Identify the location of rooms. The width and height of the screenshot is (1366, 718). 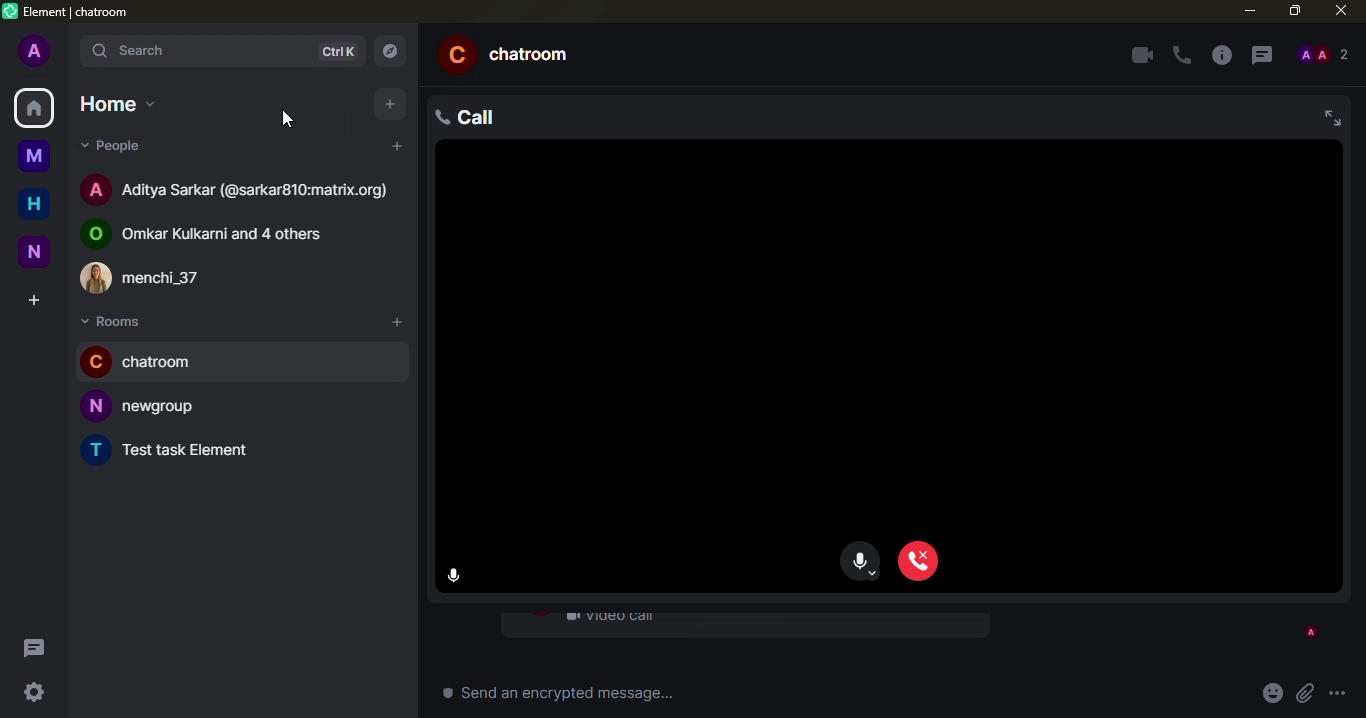
(117, 323).